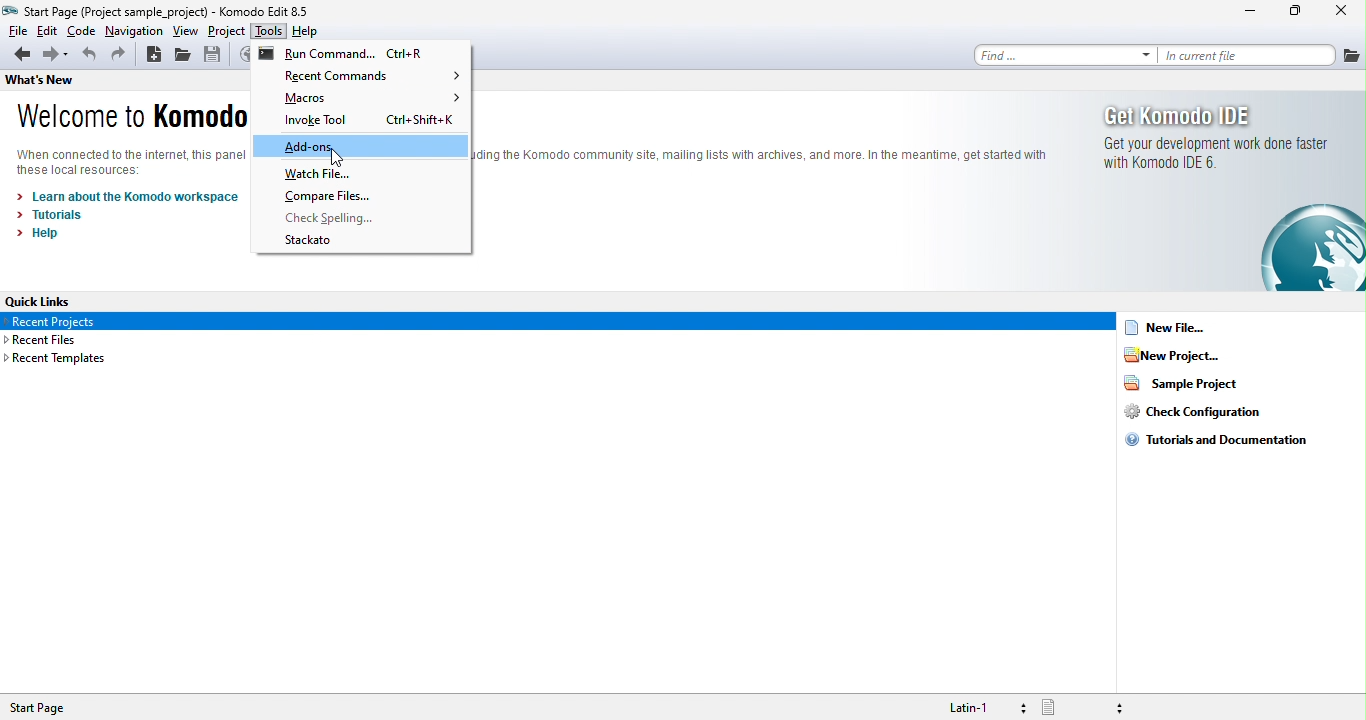 This screenshot has width=1366, height=720. I want to click on get komodo ide, so click(1216, 194).